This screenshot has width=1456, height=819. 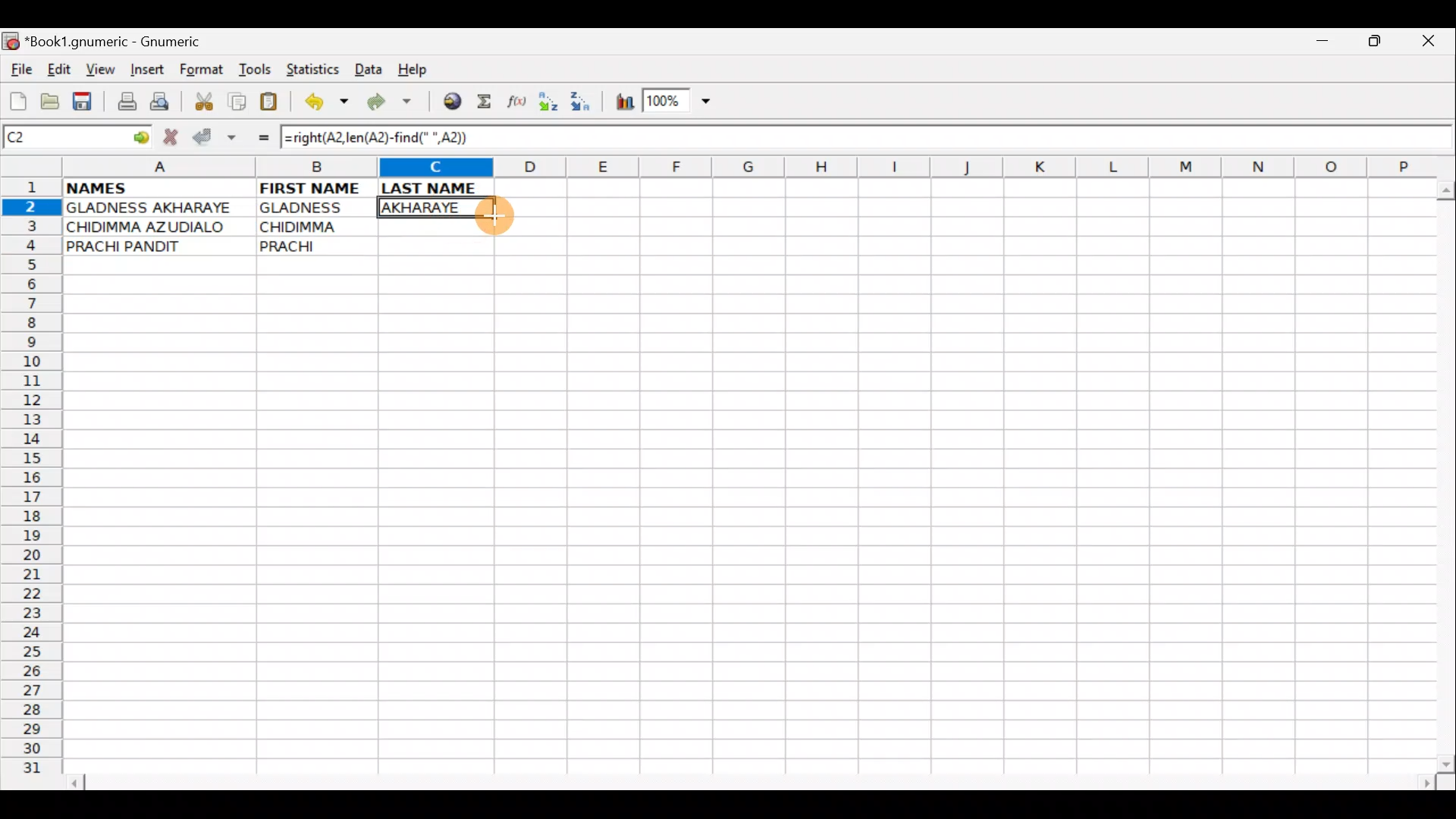 What do you see at coordinates (754, 780) in the screenshot?
I see `Scroll bar` at bounding box center [754, 780].